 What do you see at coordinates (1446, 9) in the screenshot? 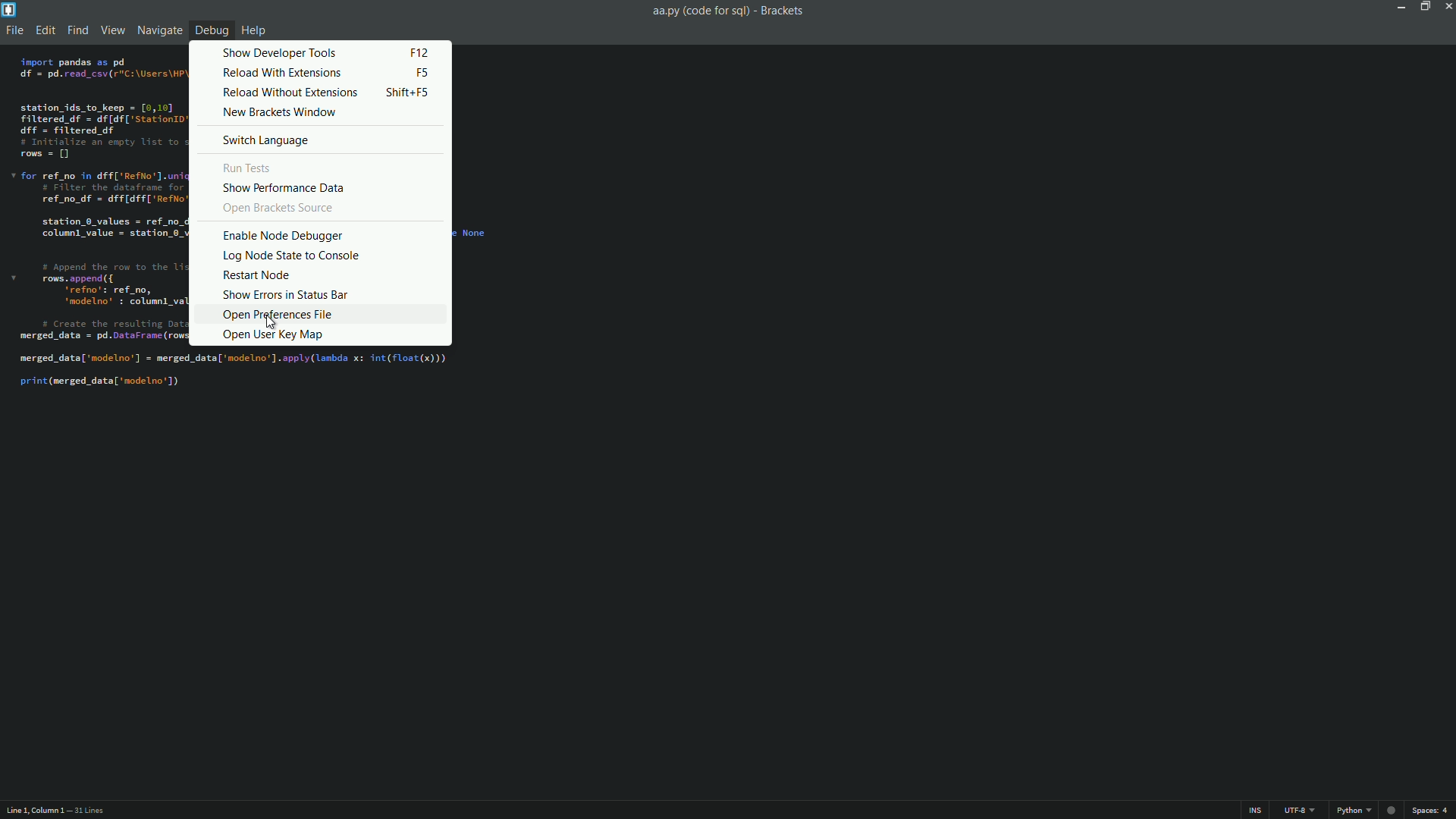
I see `close` at bounding box center [1446, 9].